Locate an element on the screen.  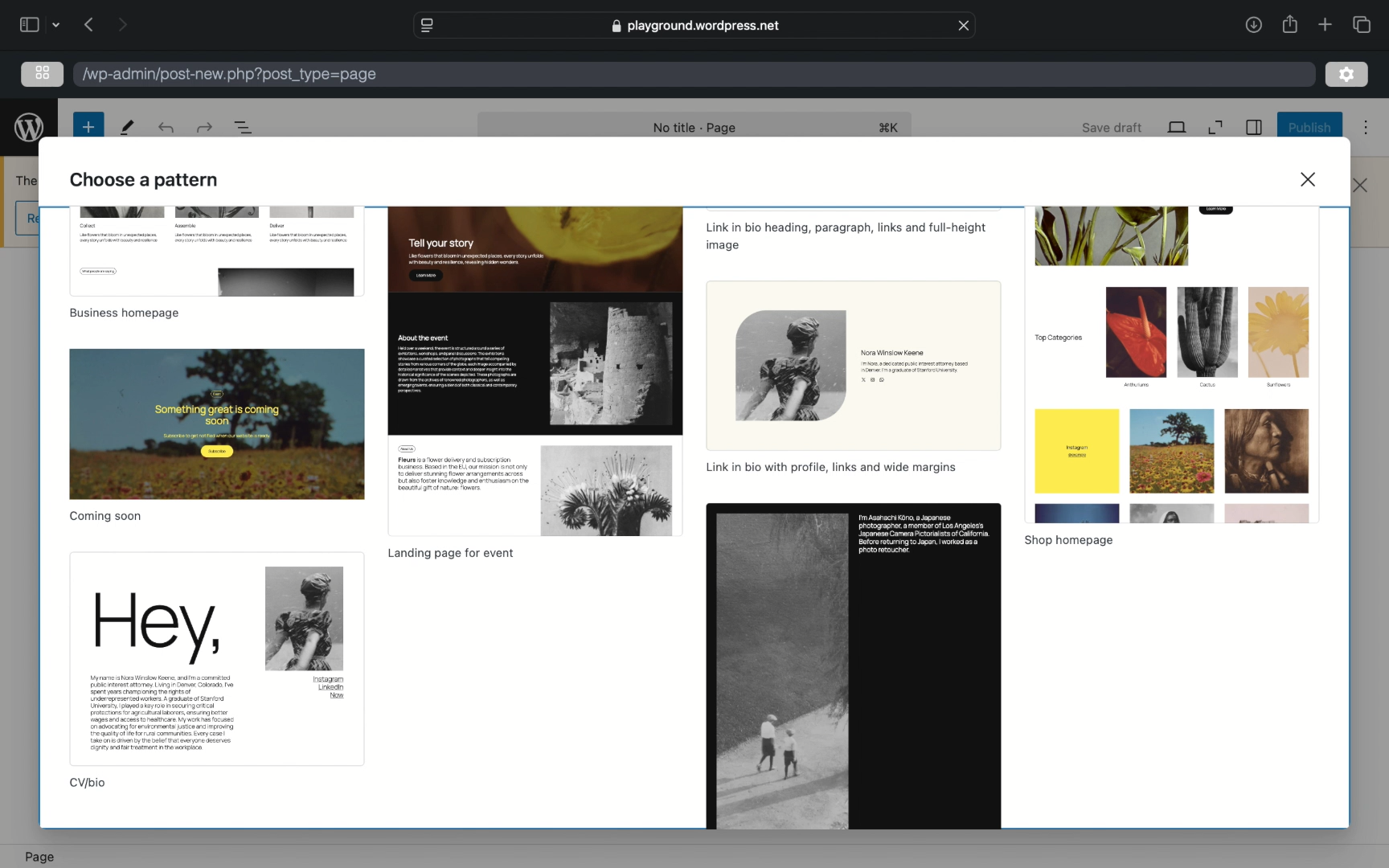
shop homepage is located at coordinates (1069, 541).